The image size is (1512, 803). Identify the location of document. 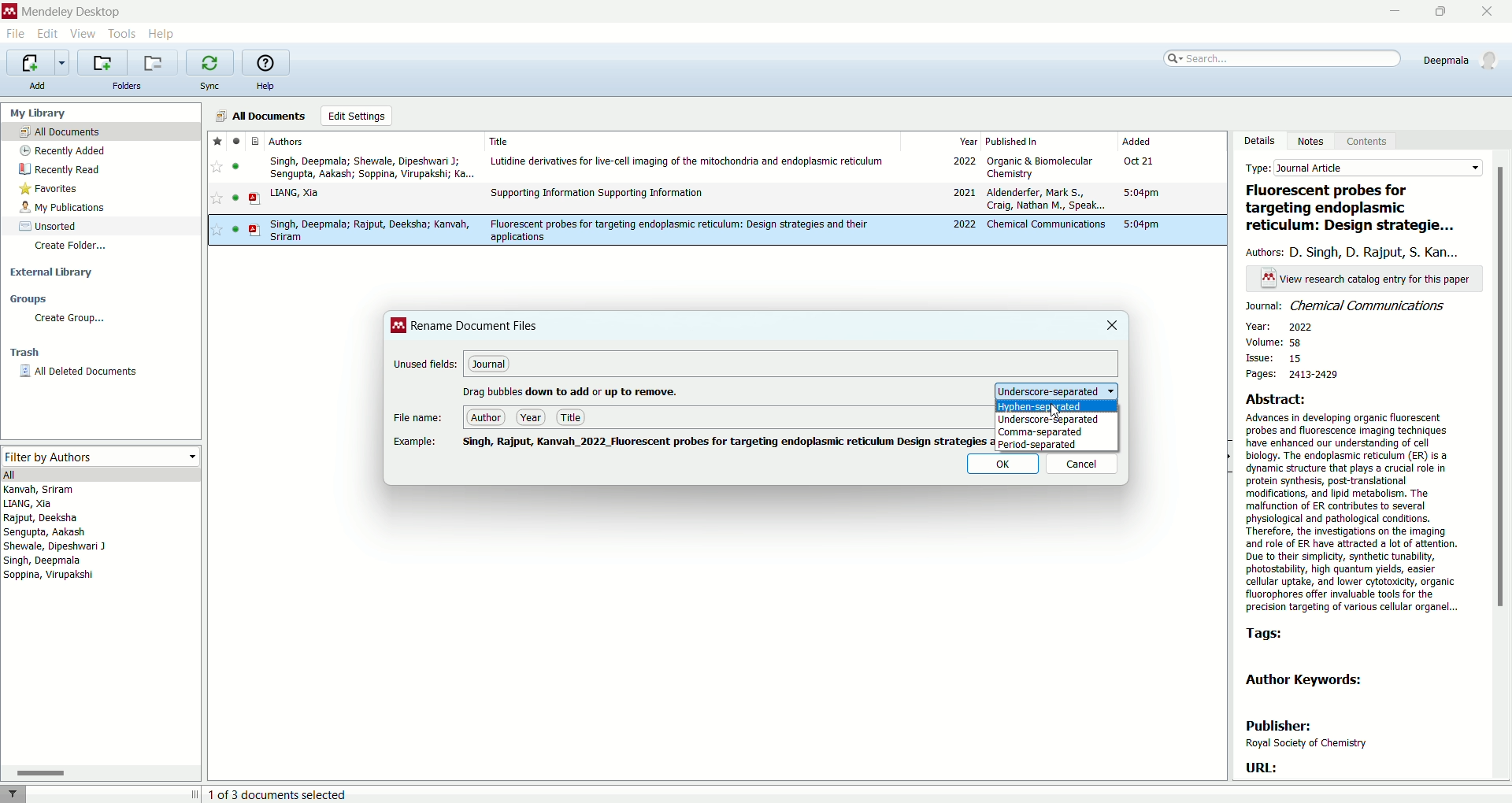
(258, 140).